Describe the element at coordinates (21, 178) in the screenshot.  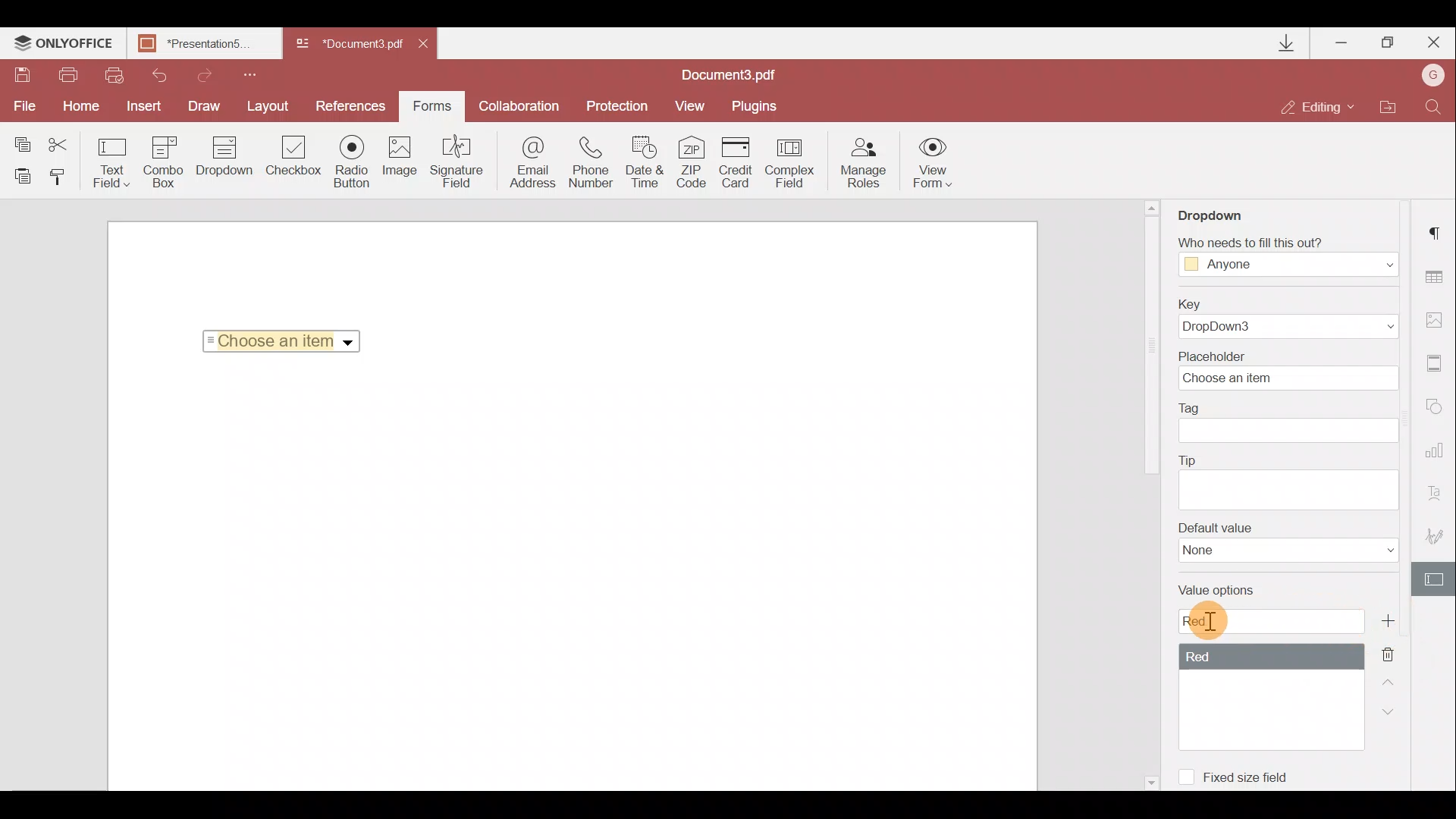
I see `Paste` at that location.